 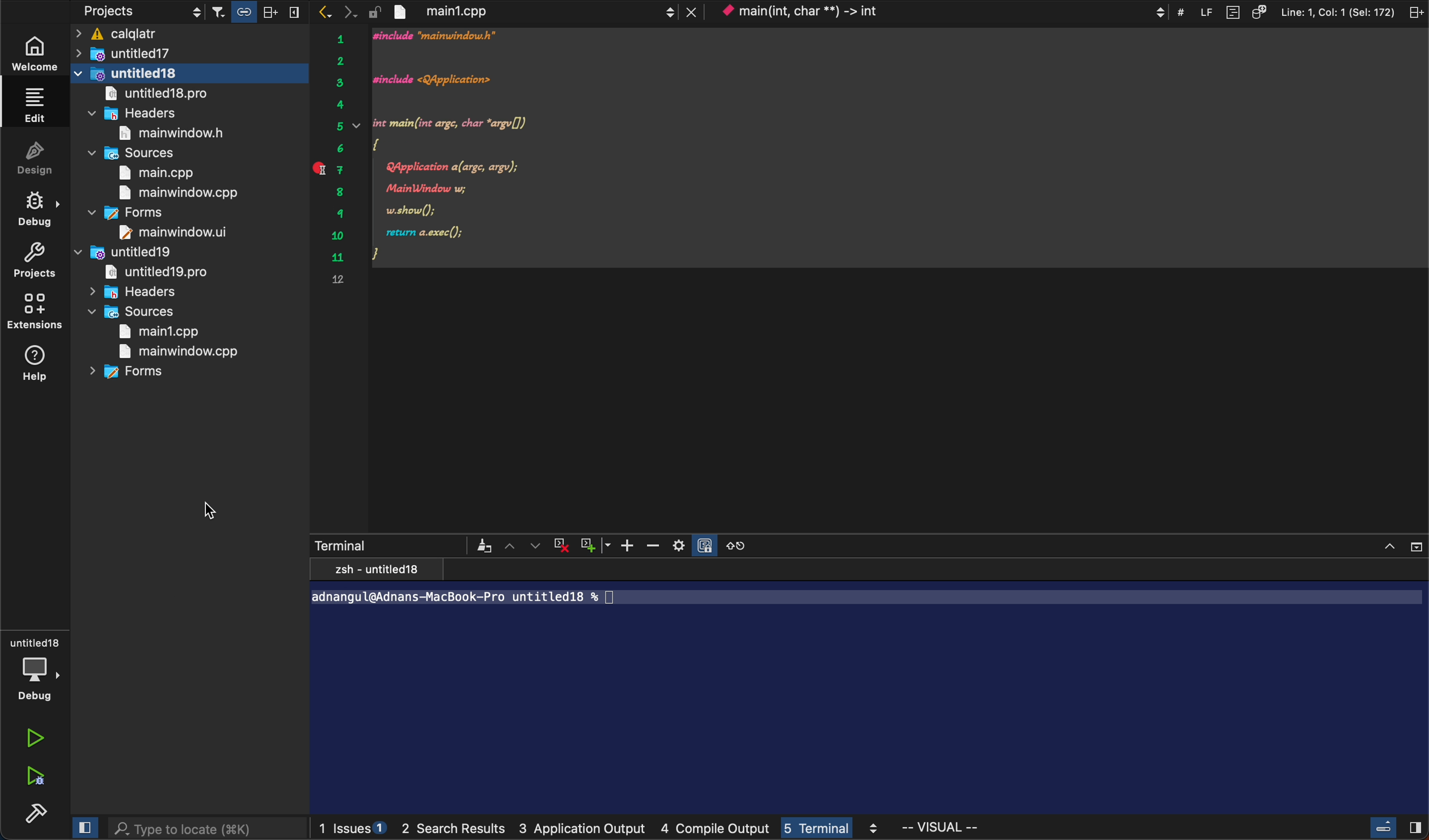 What do you see at coordinates (183, 231) in the screenshot?
I see `main window` at bounding box center [183, 231].